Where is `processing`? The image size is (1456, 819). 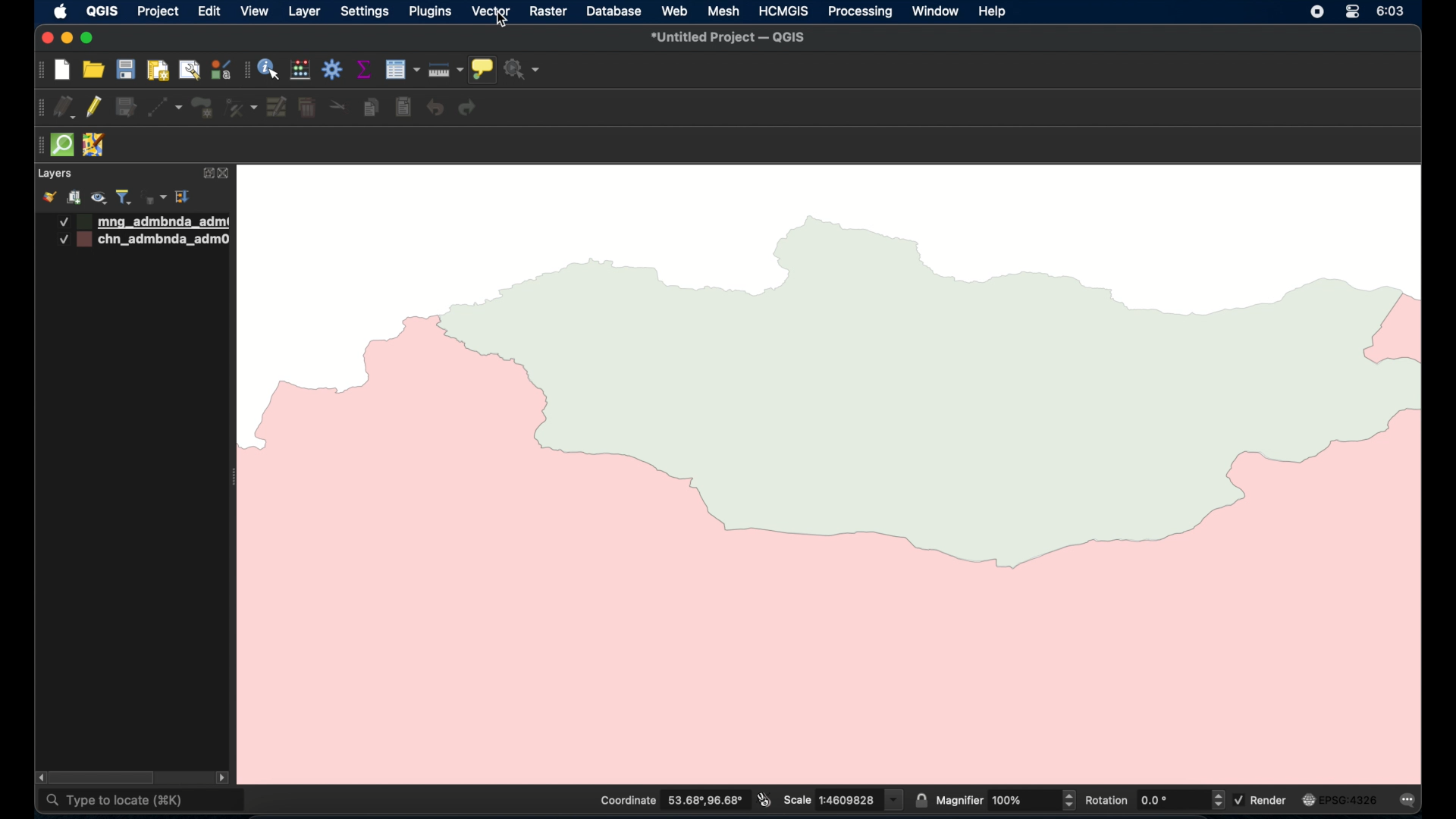 processing is located at coordinates (861, 13).